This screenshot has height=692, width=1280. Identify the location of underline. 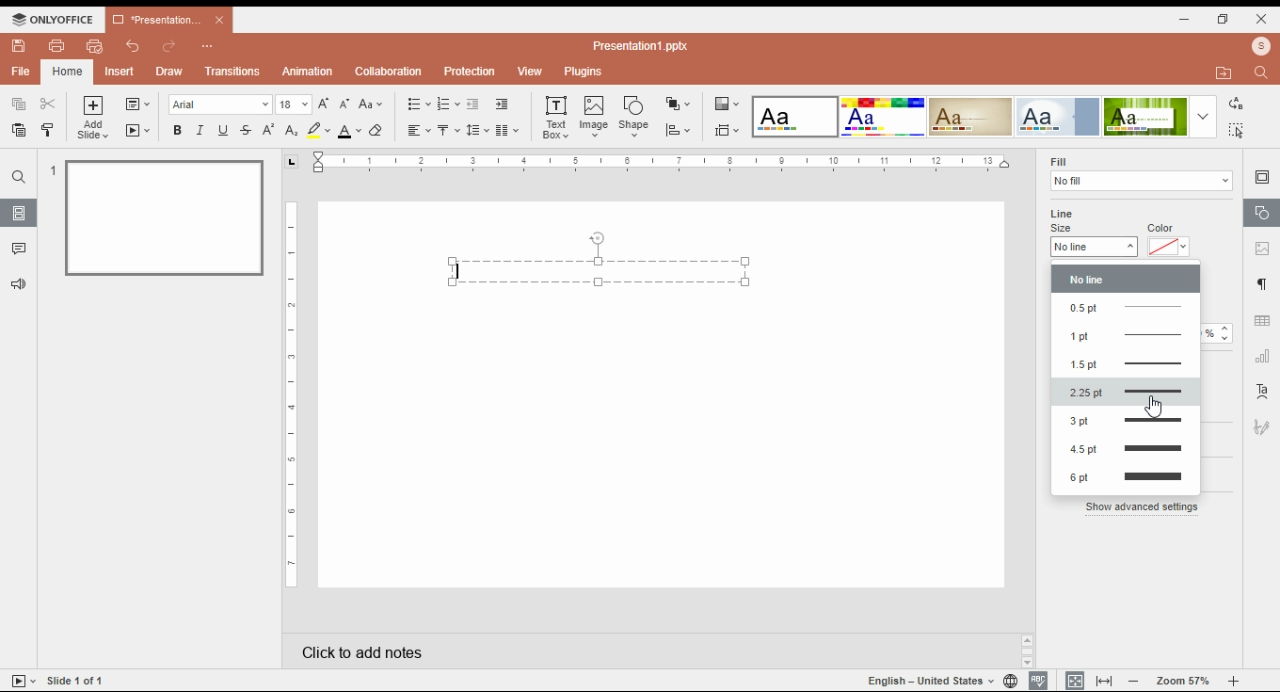
(224, 130).